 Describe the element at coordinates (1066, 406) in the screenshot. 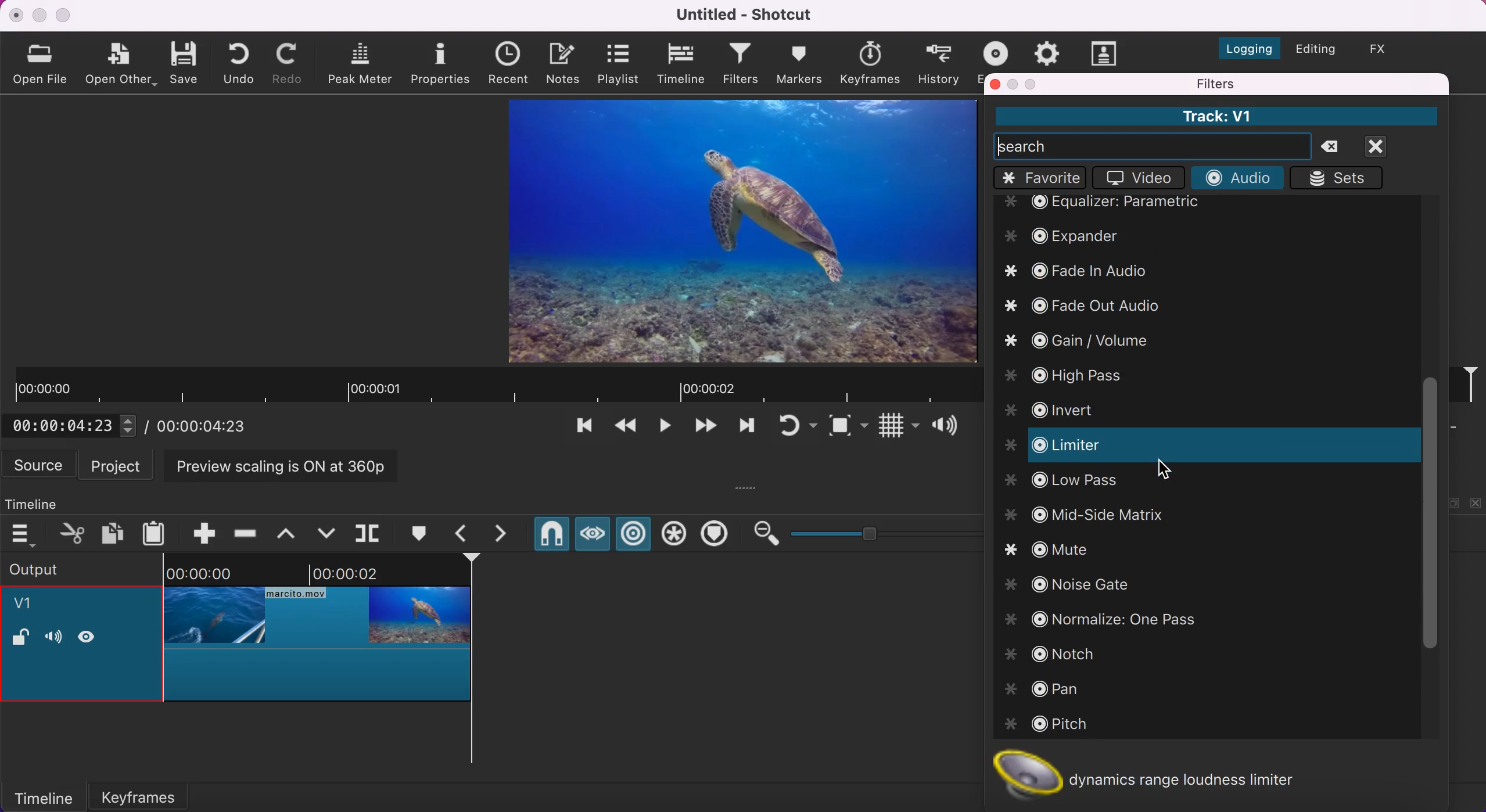

I see `invert` at that location.